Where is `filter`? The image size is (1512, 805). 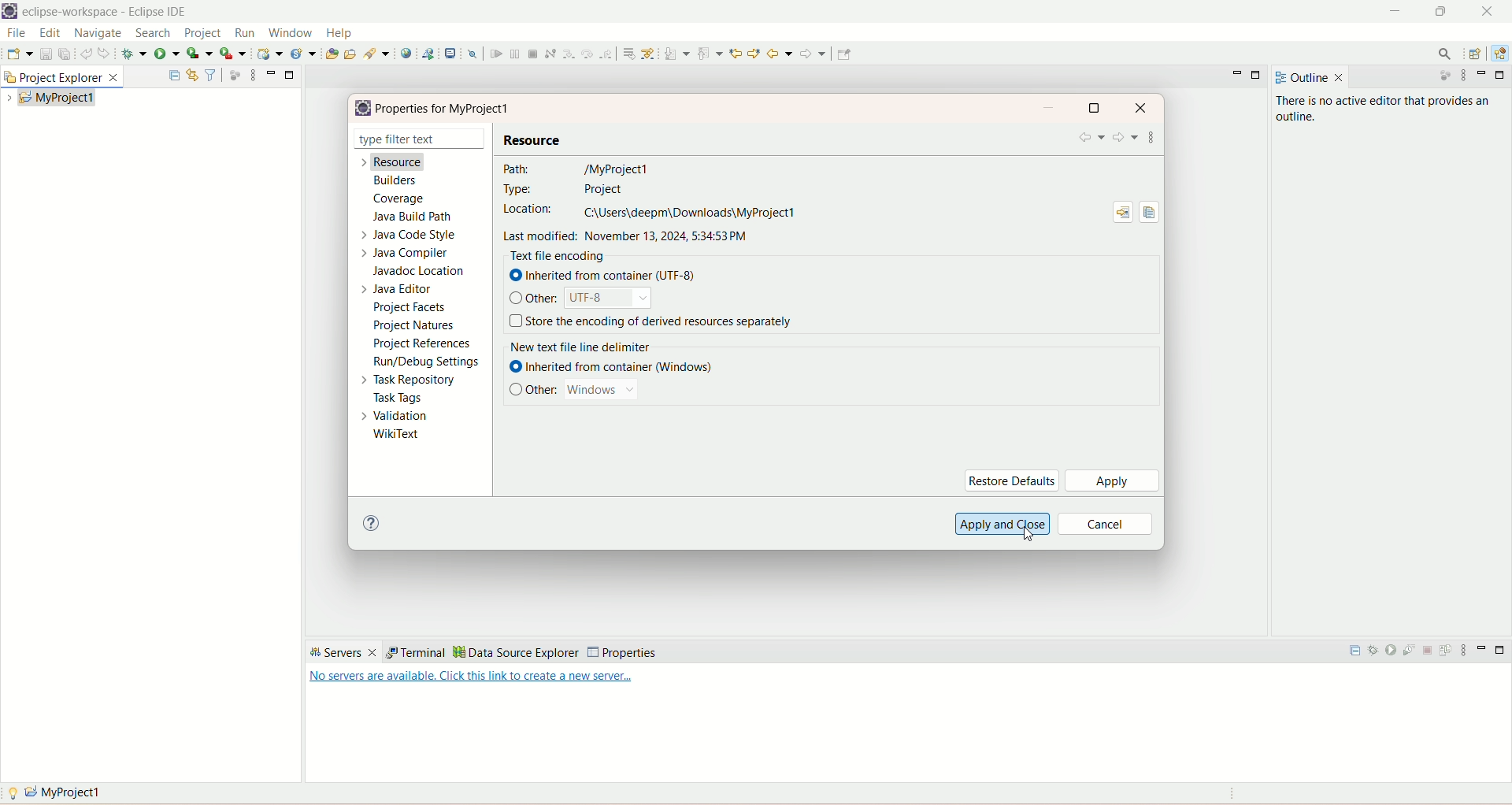
filter is located at coordinates (209, 75).